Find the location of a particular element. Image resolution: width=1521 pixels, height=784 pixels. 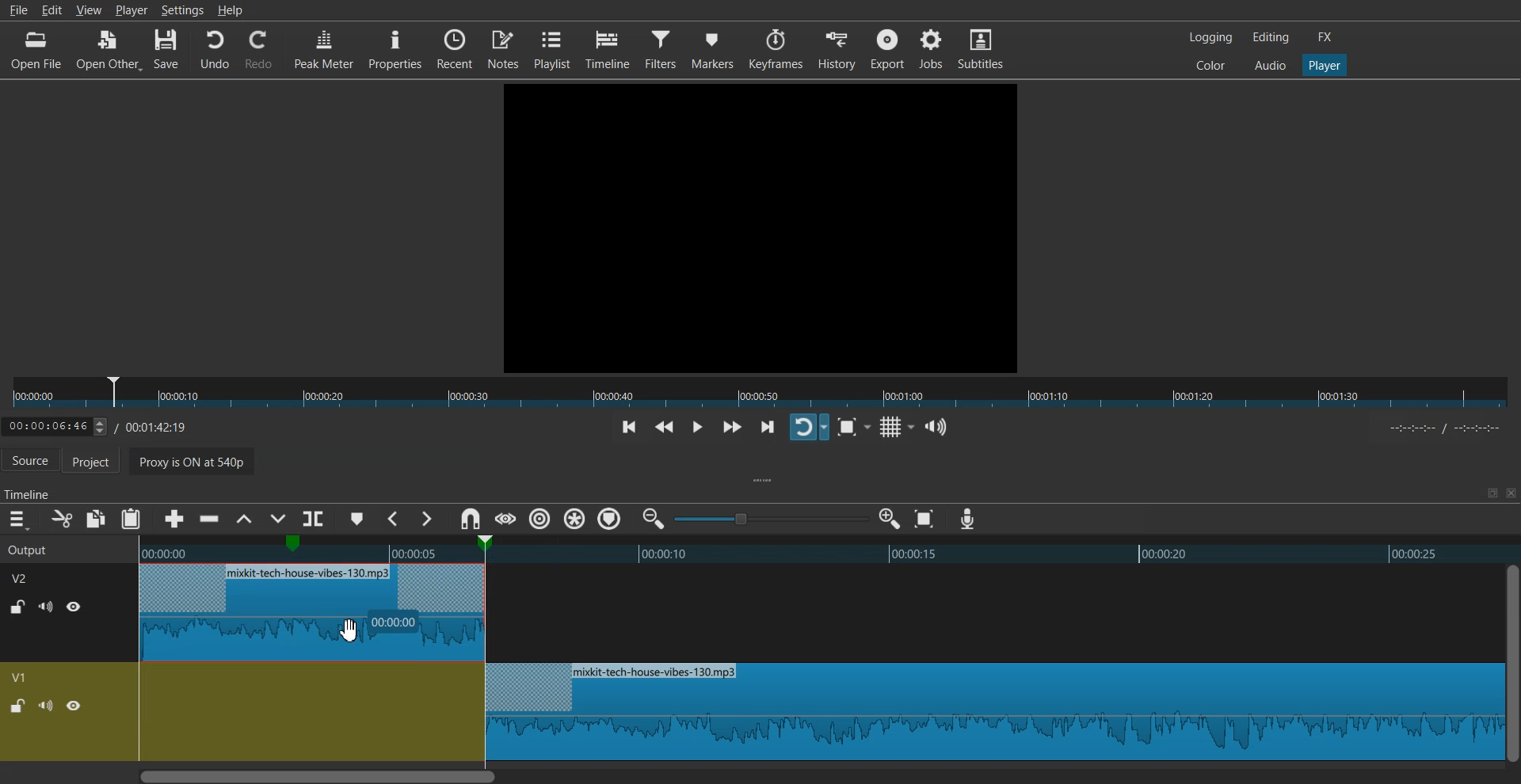

Jobs is located at coordinates (930, 48).